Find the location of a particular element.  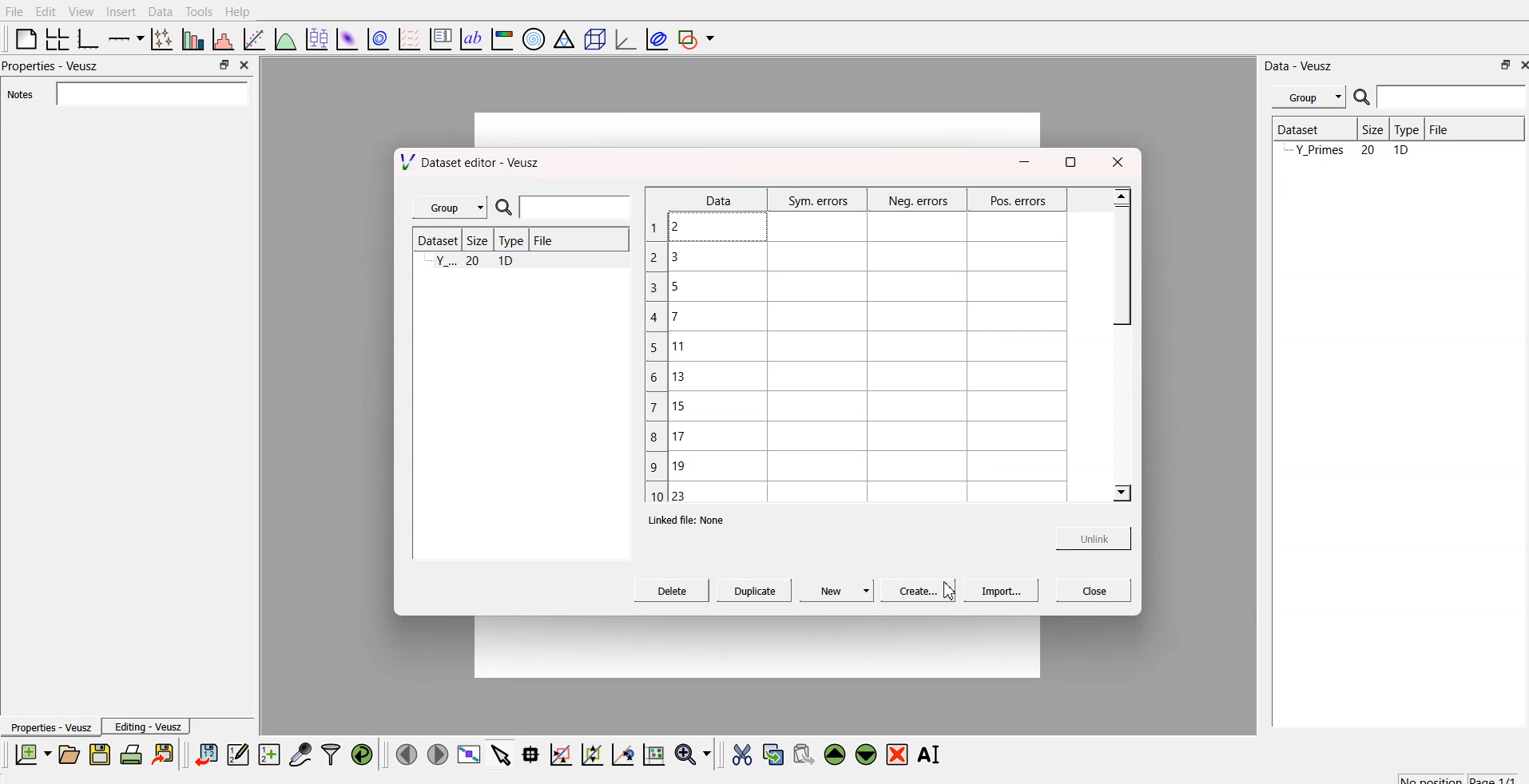

Tools is located at coordinates (198, 10).